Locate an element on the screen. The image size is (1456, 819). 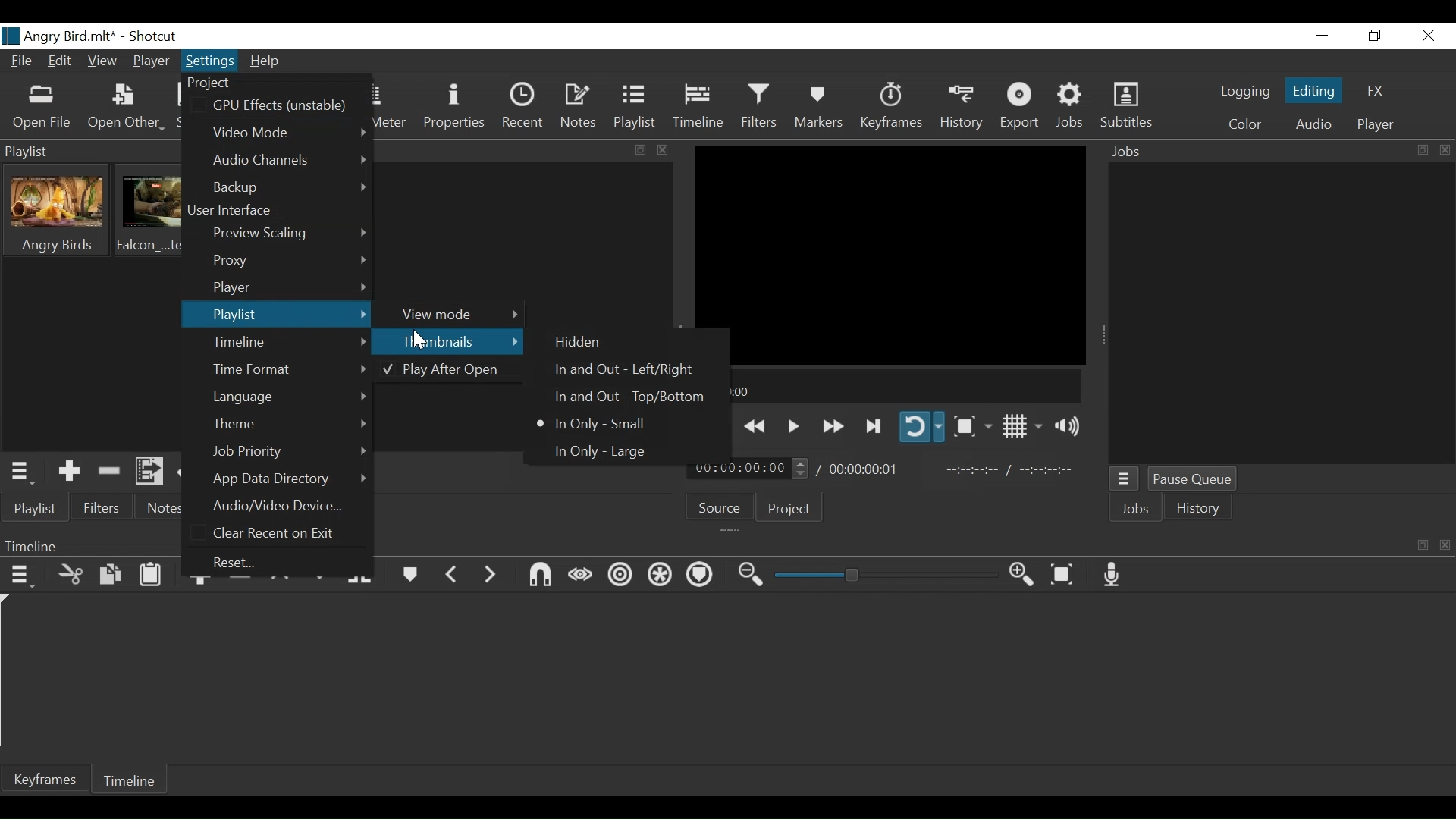
Properties is located at coordinates (454, 109).